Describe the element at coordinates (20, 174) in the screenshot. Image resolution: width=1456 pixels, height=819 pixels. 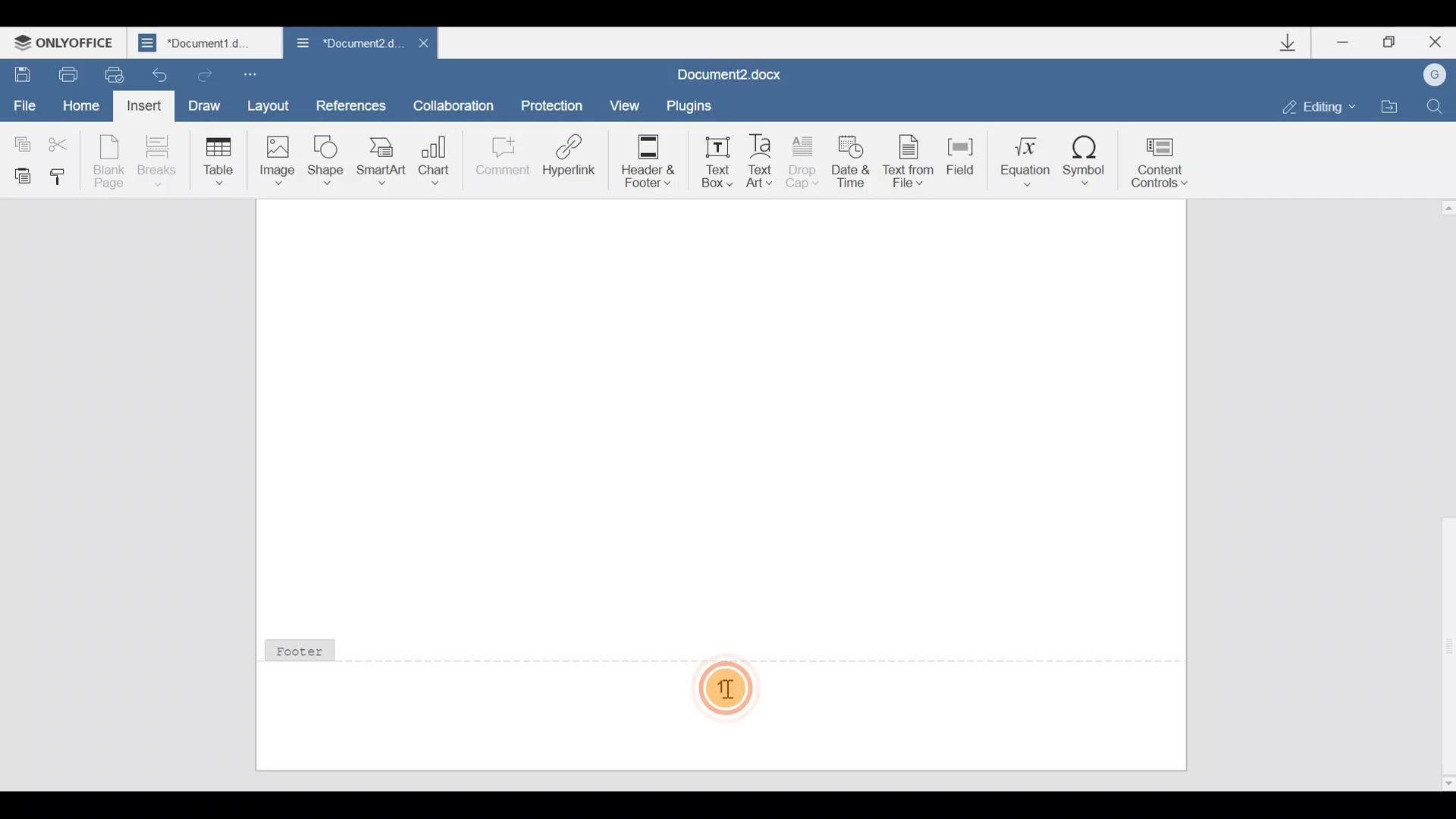
I see `Paste` at that location.